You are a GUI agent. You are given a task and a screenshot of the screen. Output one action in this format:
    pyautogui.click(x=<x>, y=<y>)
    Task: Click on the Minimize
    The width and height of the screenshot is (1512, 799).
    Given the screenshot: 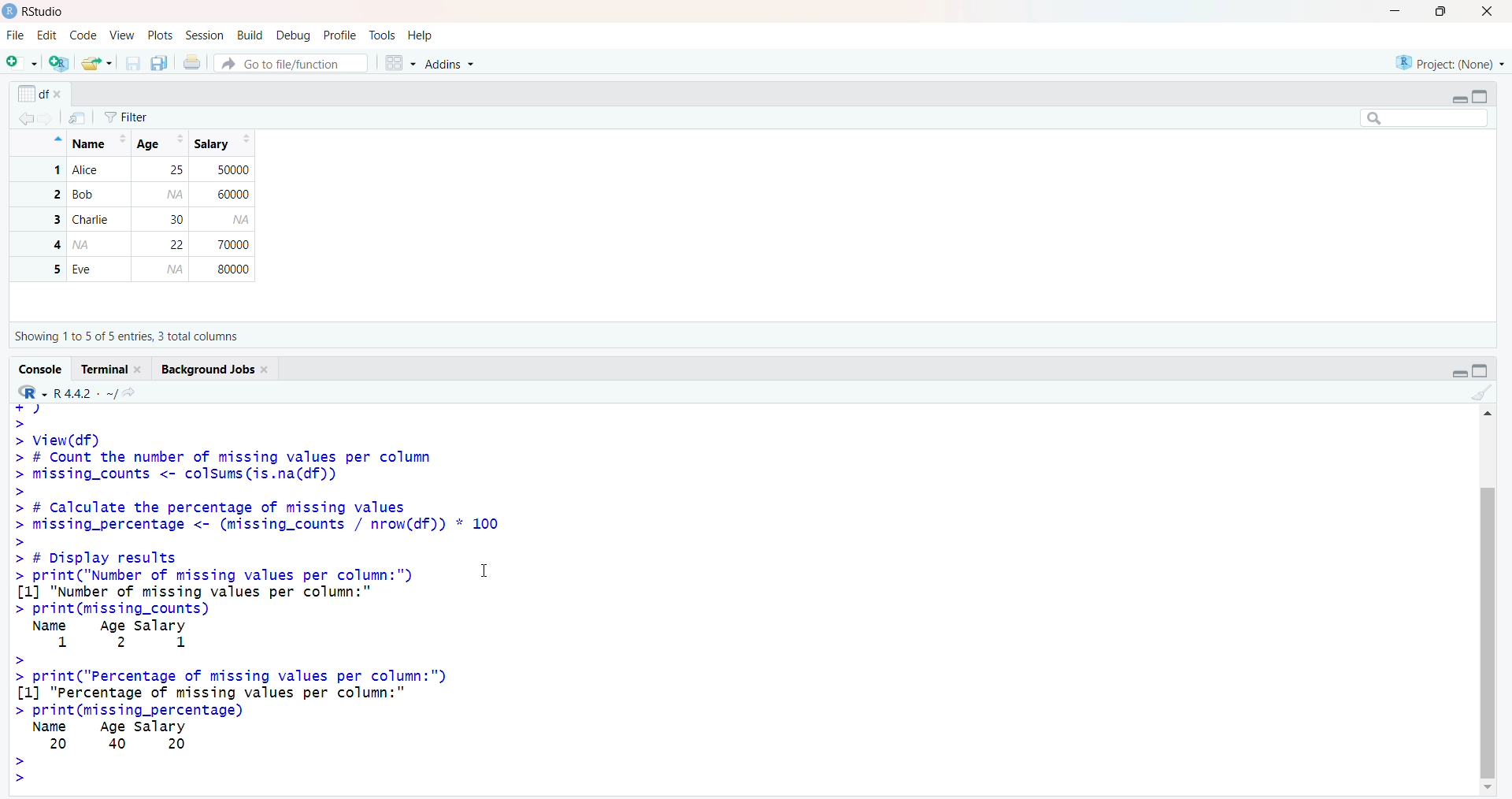 What is the action you would take?
    pyautogui.click(x=1457, y=98)
    